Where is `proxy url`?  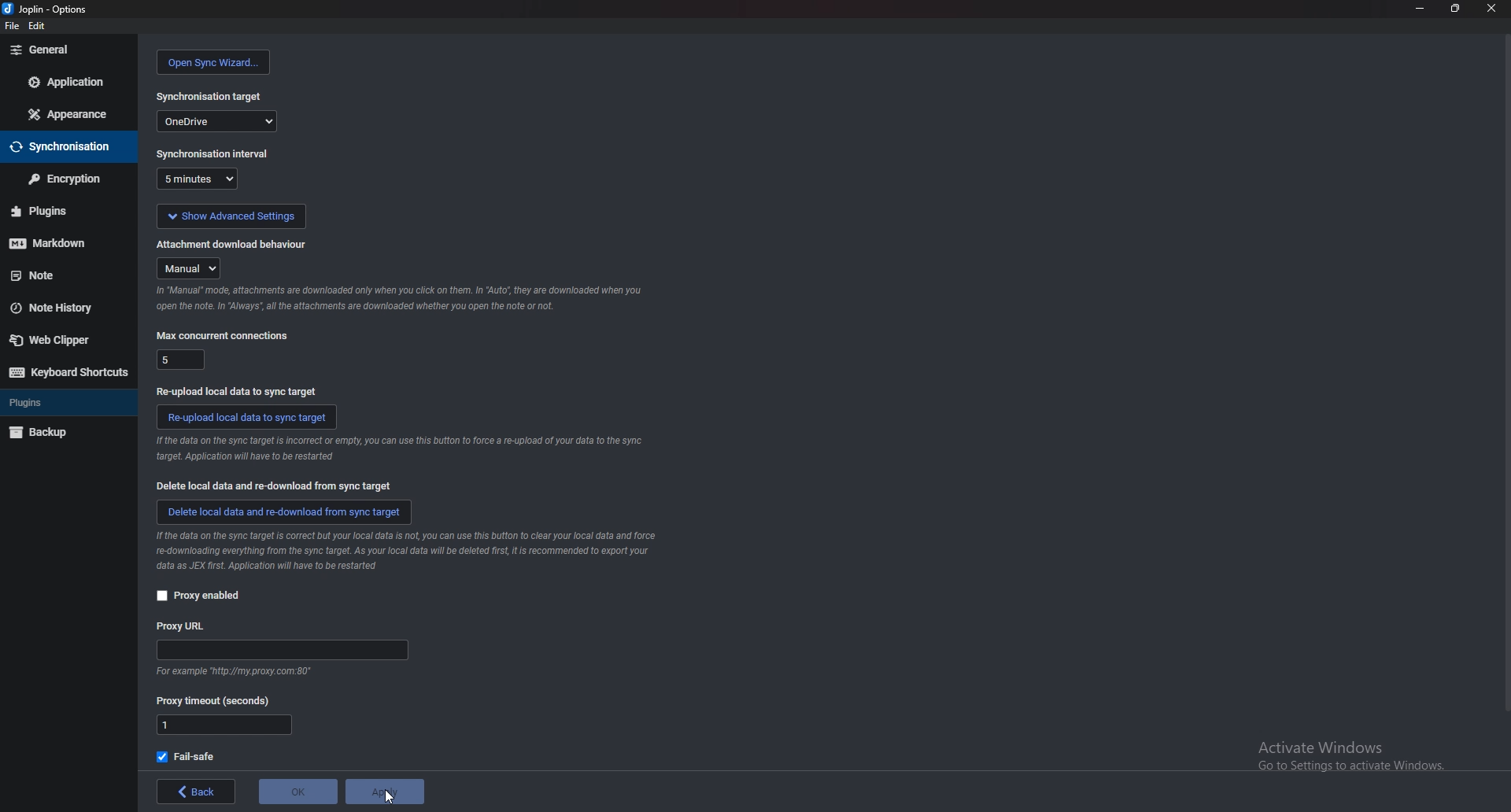 proxy url is located at coordinates (182, 627).